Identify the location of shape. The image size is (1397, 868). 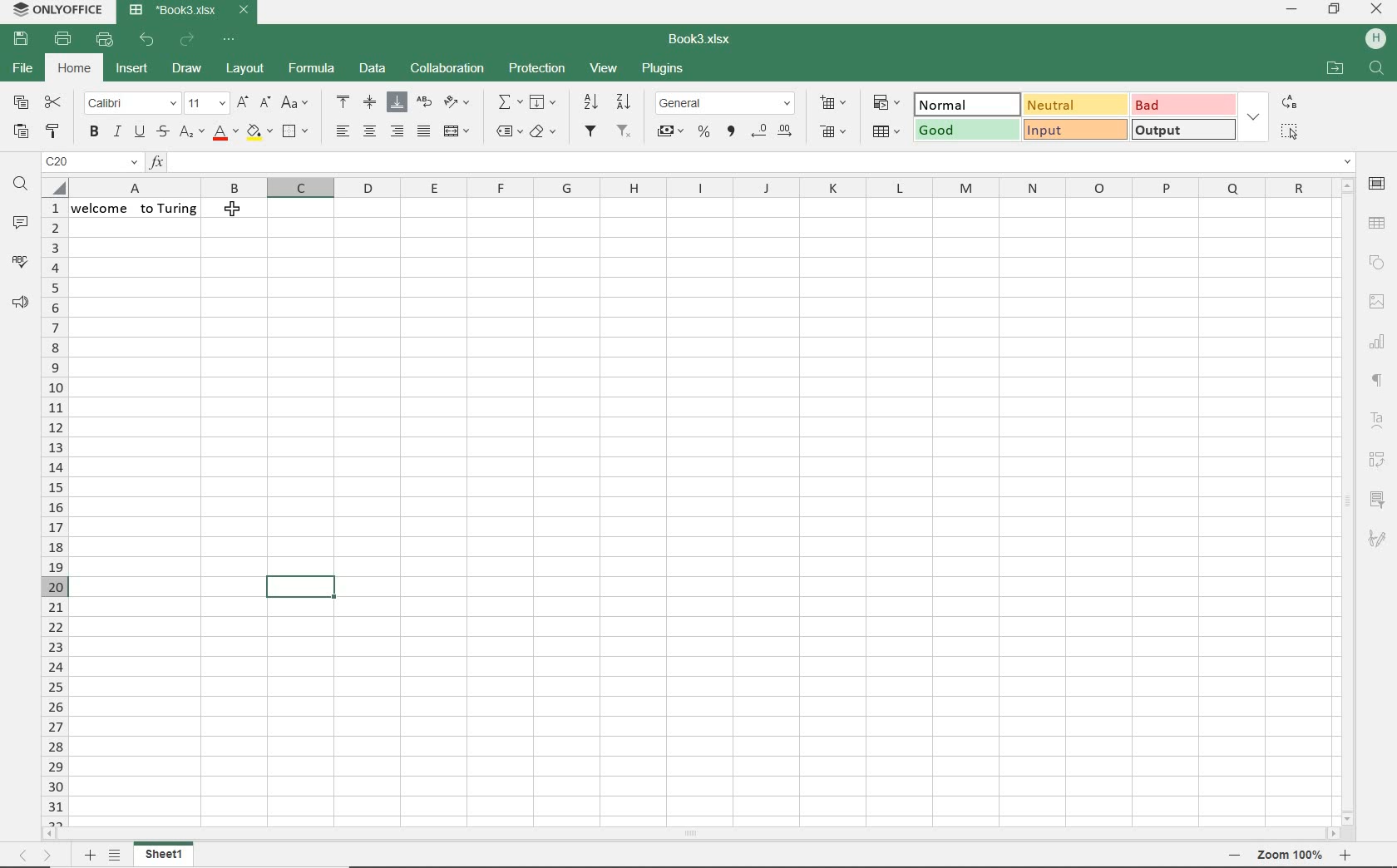
(1376, 263).